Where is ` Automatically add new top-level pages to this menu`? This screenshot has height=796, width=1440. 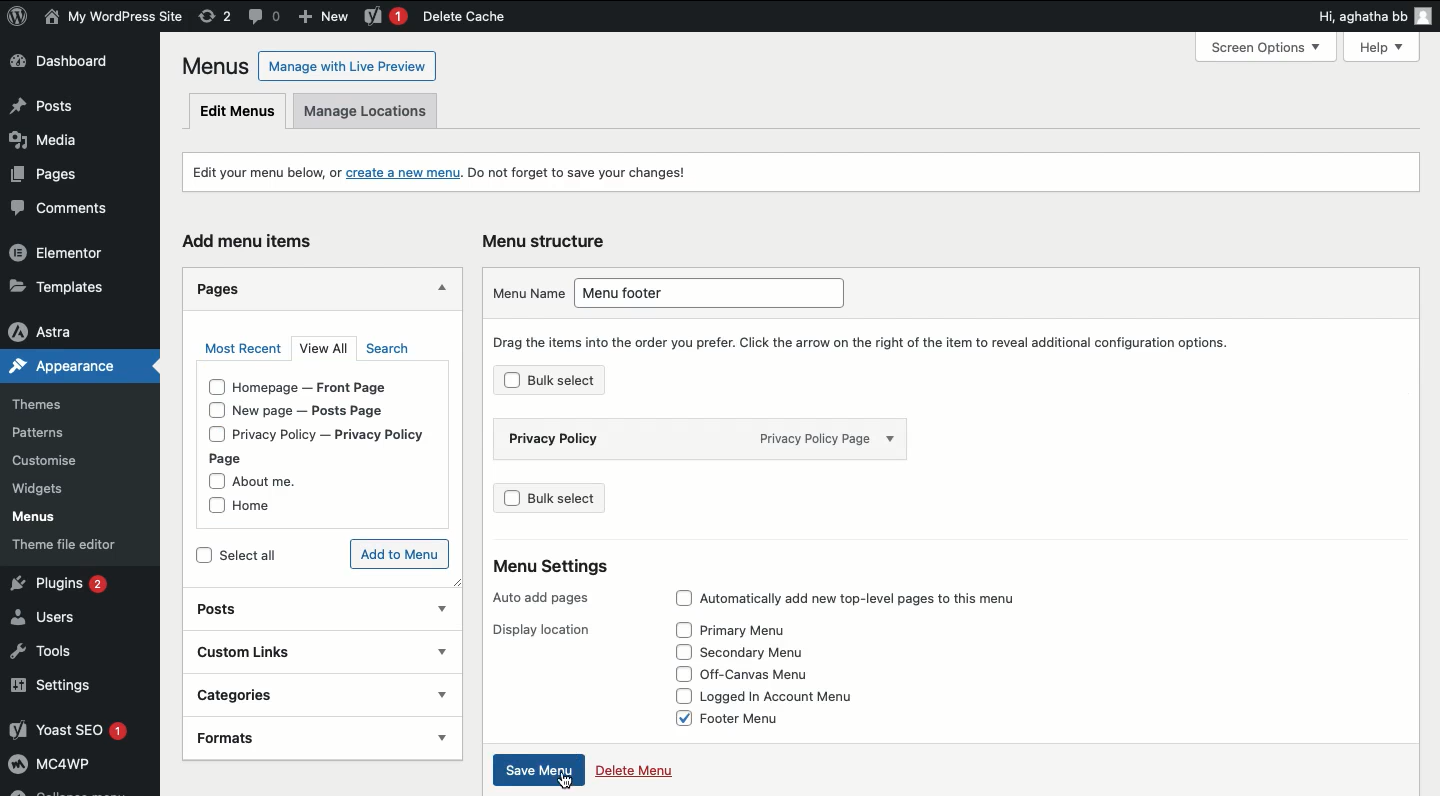  Automatically add new top-level pages to this menu is located at coordinates (869, 594).